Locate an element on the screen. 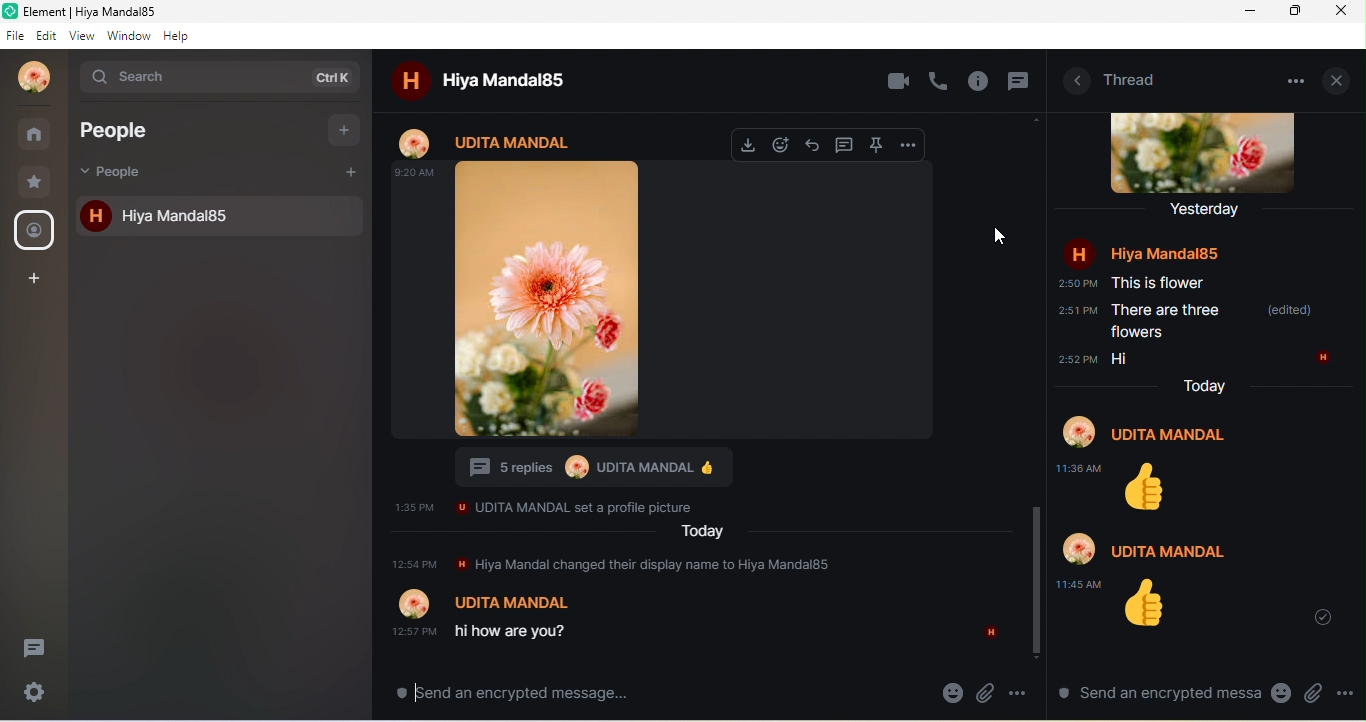 The height and width of the screenshot is (722, 1366). Hiya Mandal85 is located at coordinates (1164, 254).